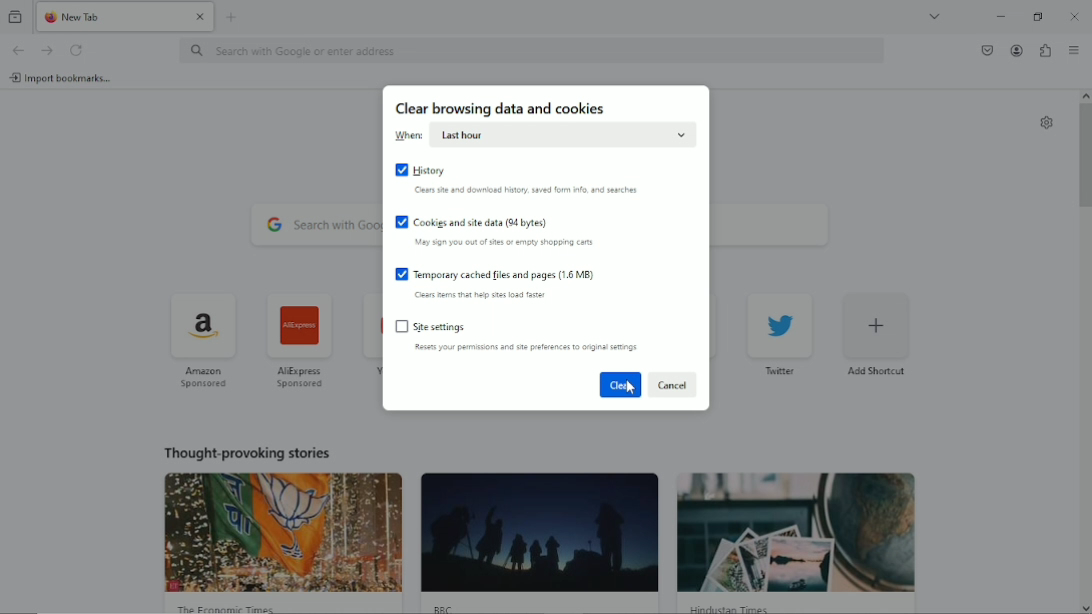  Describe the element at coordinates (876, 332) in the screenshot. I see `Add shortcut` at that location.